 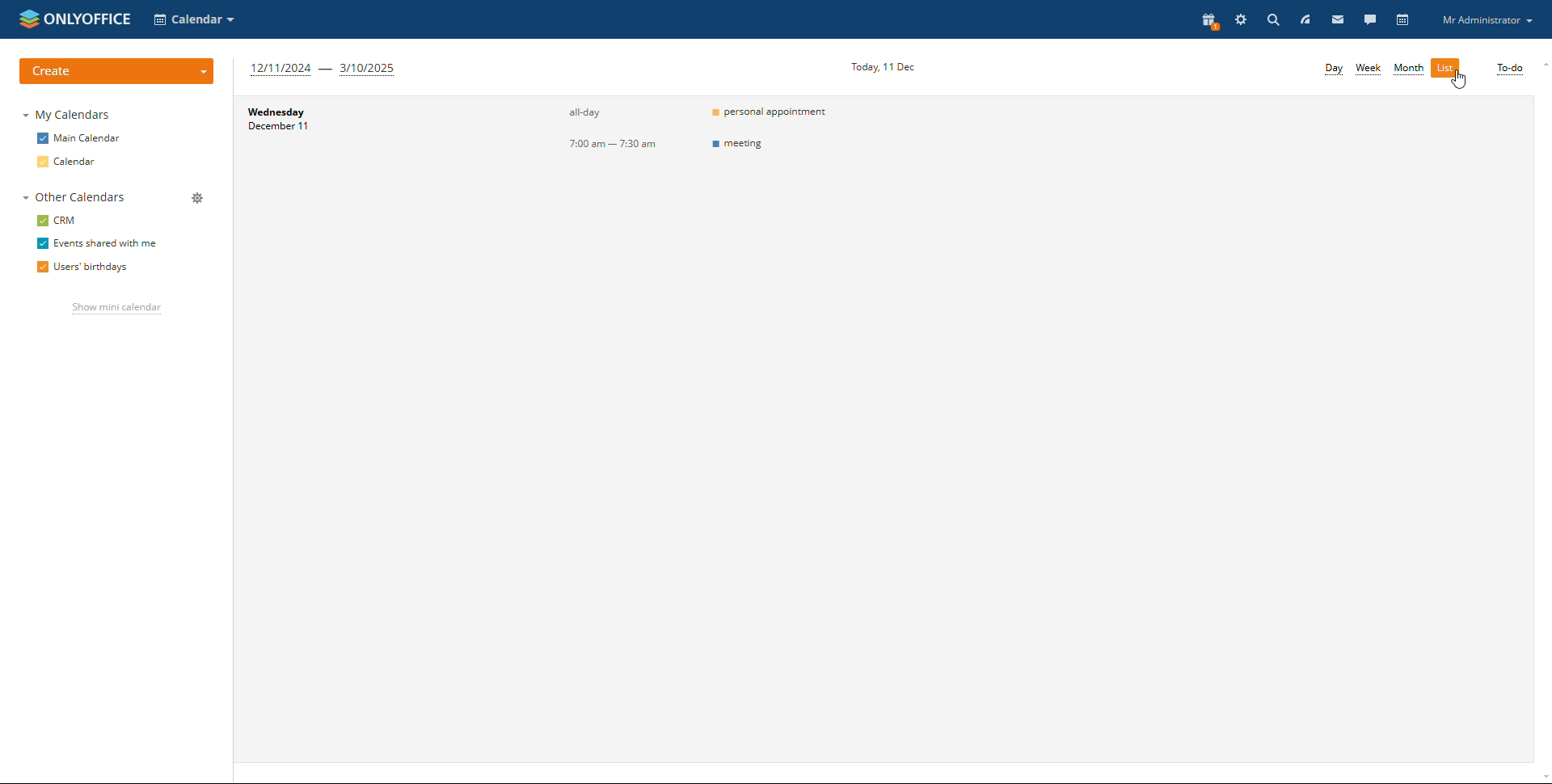 I want to click on manage, so click(x=198, y=198).